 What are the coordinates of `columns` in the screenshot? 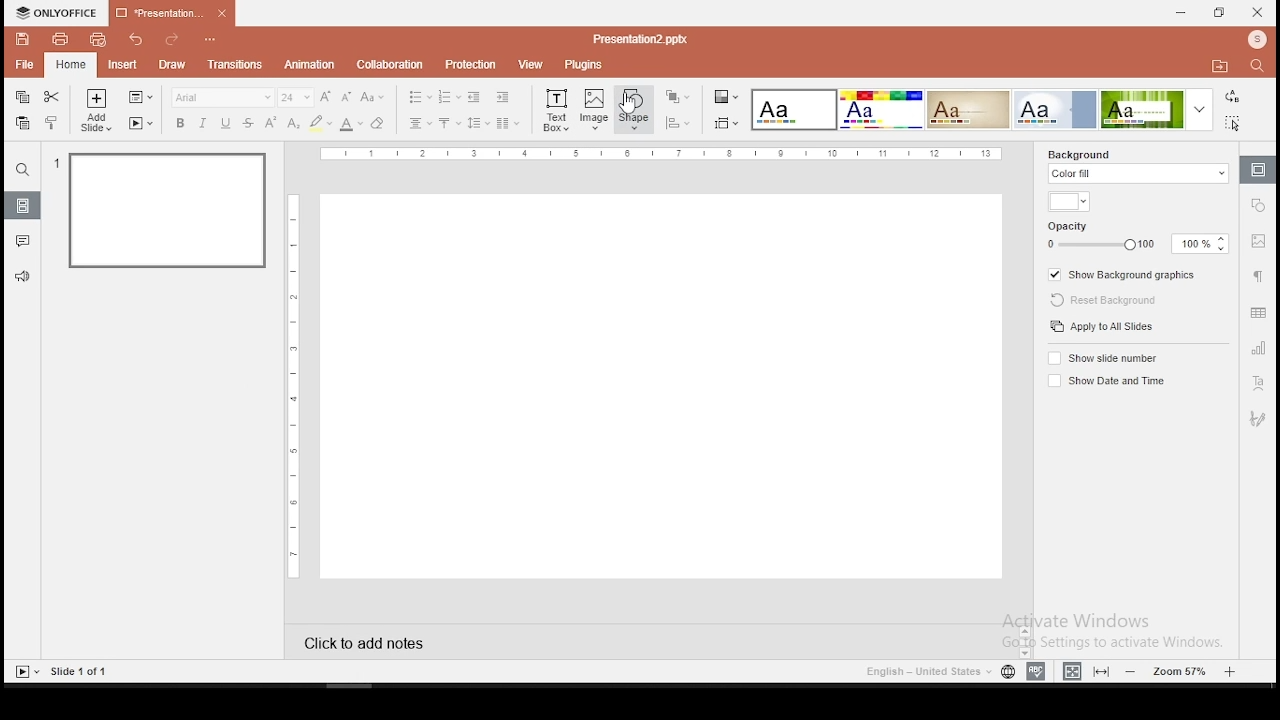 It's located at (506, 122).